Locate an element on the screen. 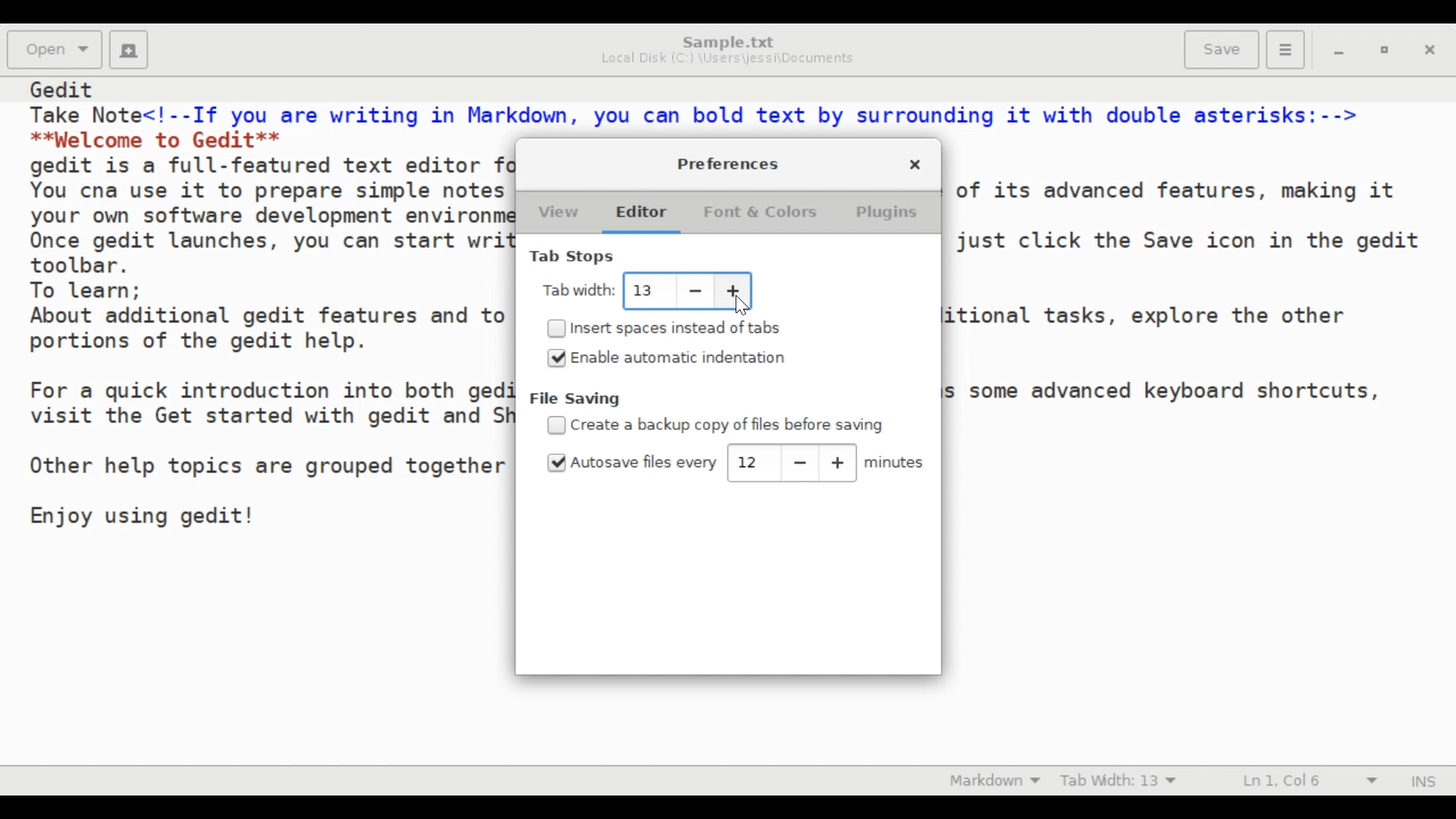  minutes is located at coordinates (896, 463).